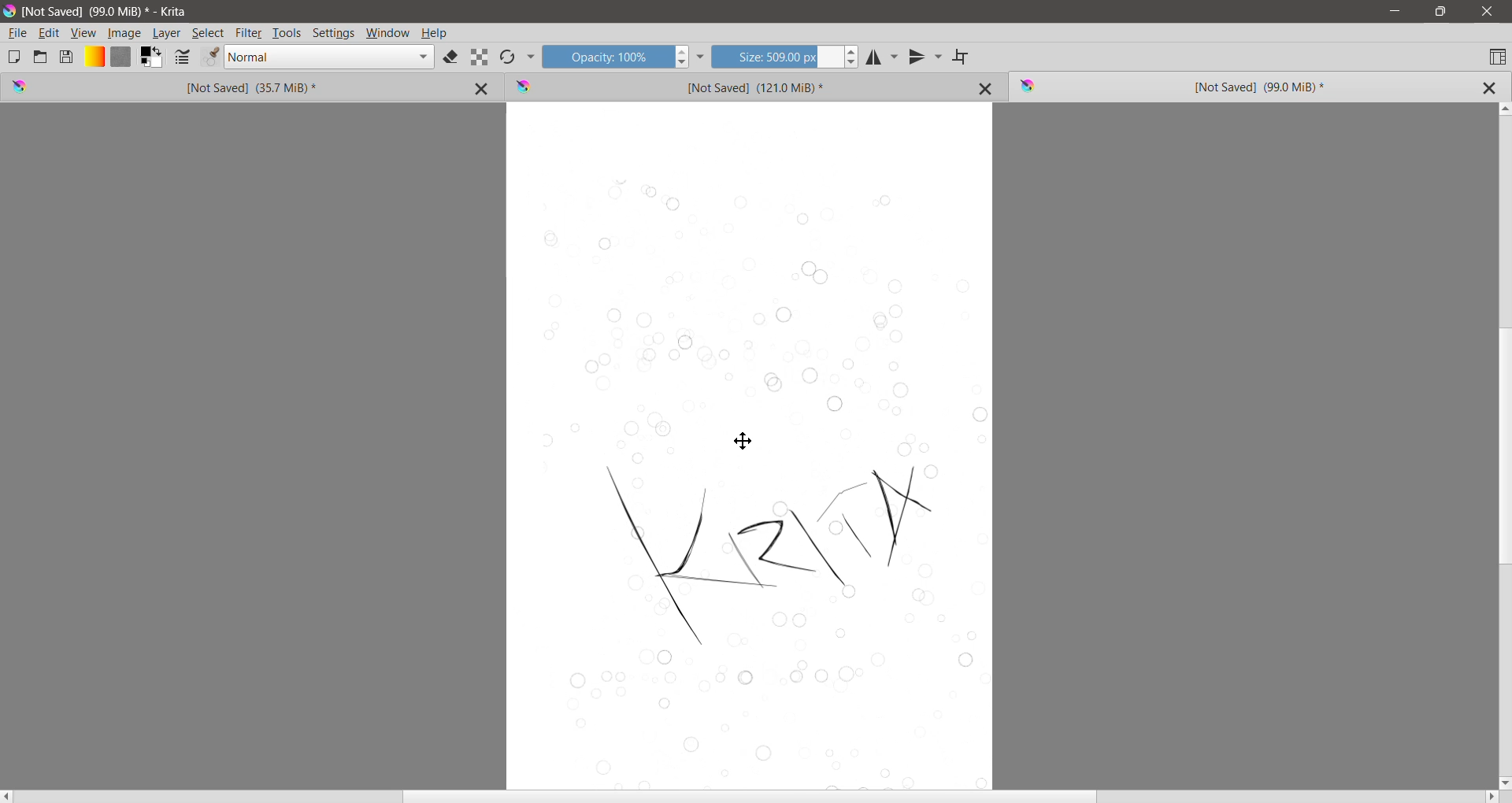  Describe the element at coordinates (329, 57) in the screenshot. I see `Blending mode` at that location.